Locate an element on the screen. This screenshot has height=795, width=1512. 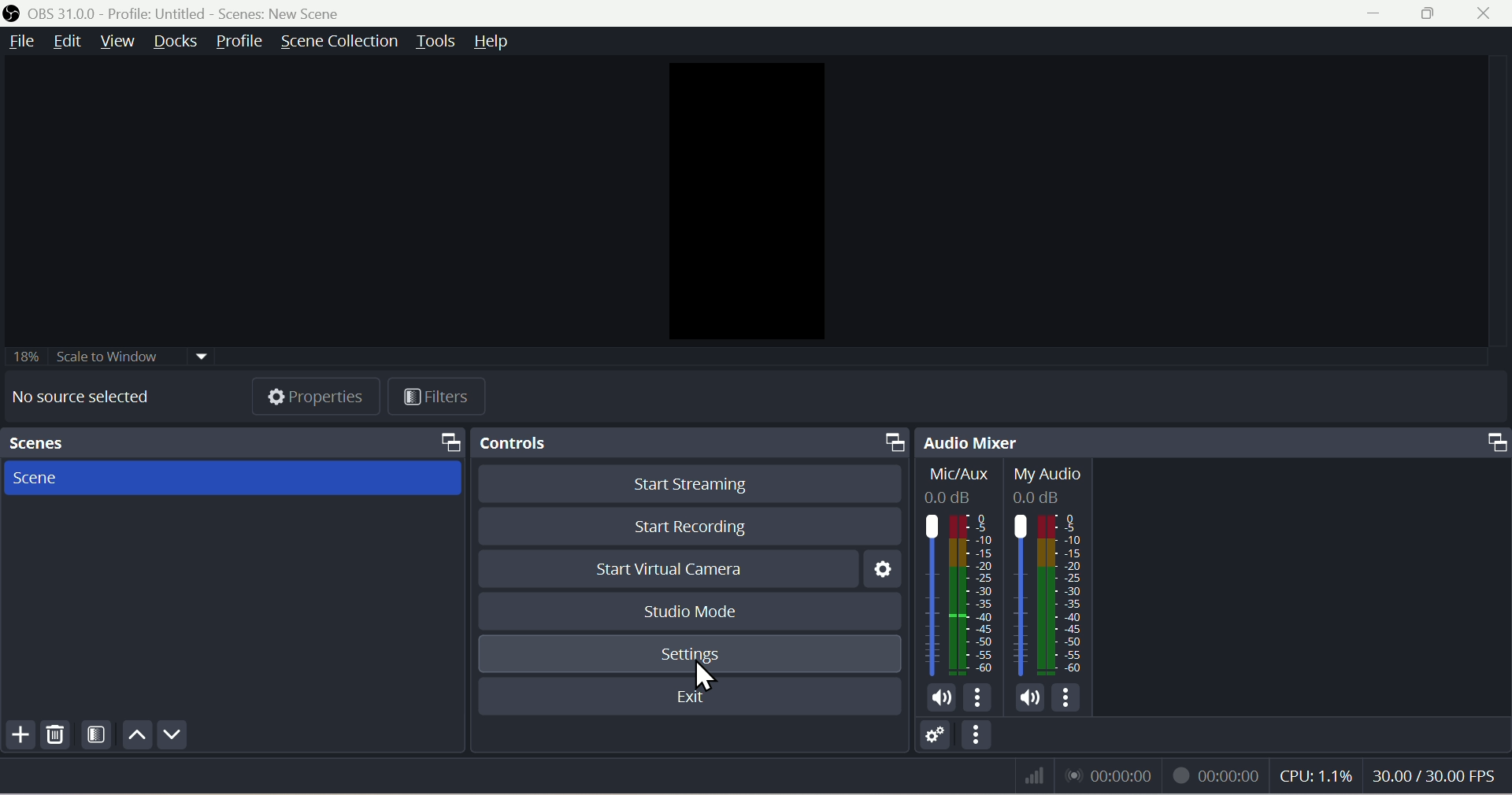
No source selected is located at coordinates (94, 397).